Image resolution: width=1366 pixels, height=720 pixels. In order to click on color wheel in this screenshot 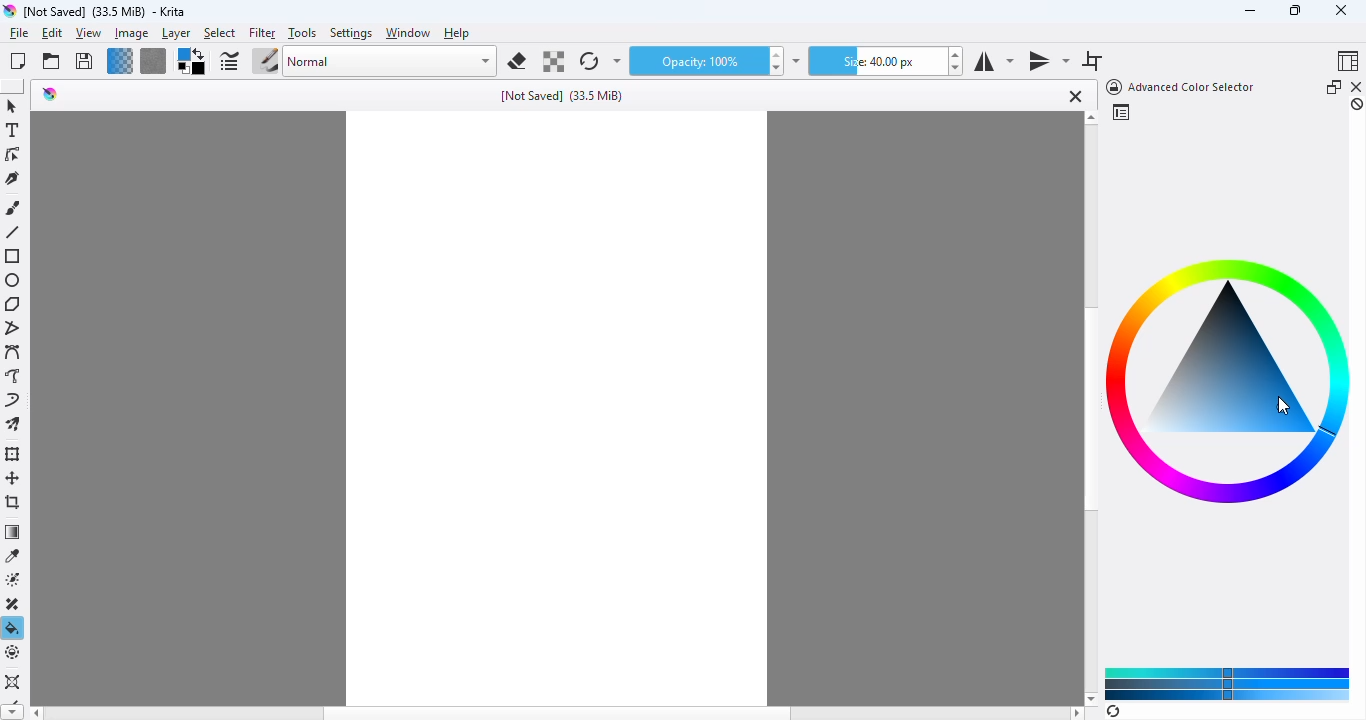, I will do `click(1229, 382)`.